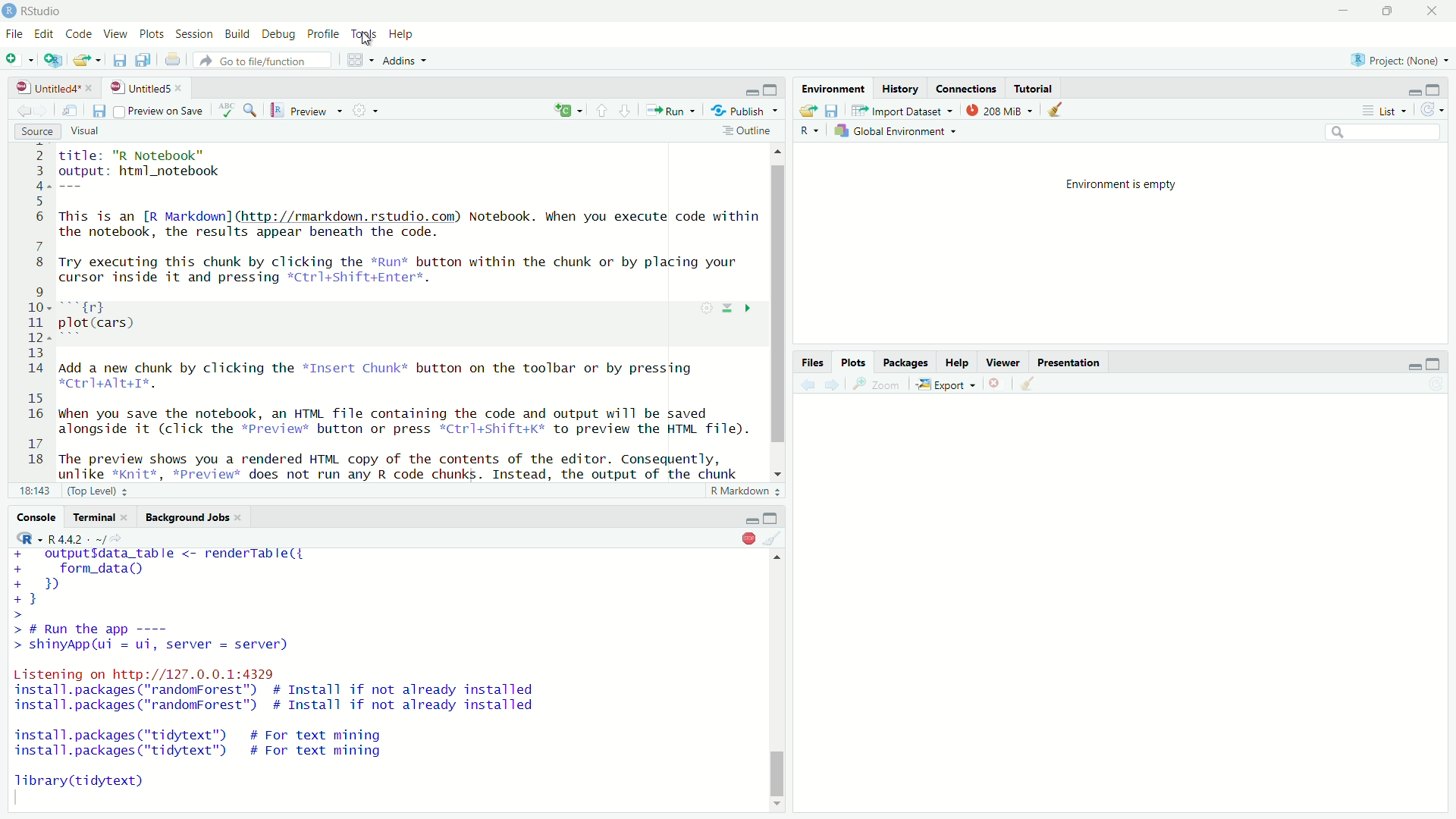 Image resolution: width=1456 pixels, height=819 pixels. I want to click on move backward, so click(807, 386).